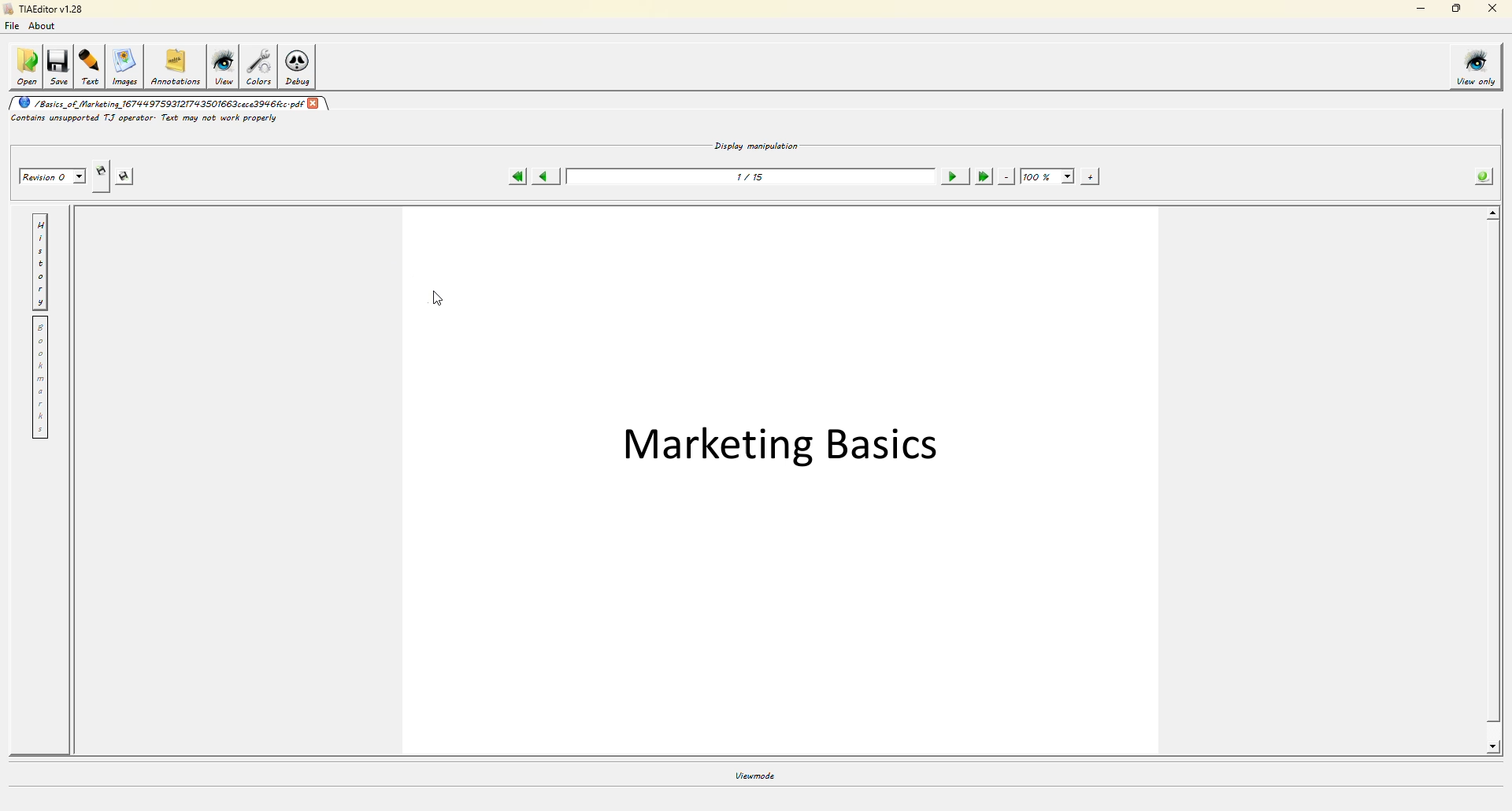 The height and width of the screenshot is (811, 1512). Describe the element at coordinates (1493, 9) in the screenshot. I see `close` at that location.